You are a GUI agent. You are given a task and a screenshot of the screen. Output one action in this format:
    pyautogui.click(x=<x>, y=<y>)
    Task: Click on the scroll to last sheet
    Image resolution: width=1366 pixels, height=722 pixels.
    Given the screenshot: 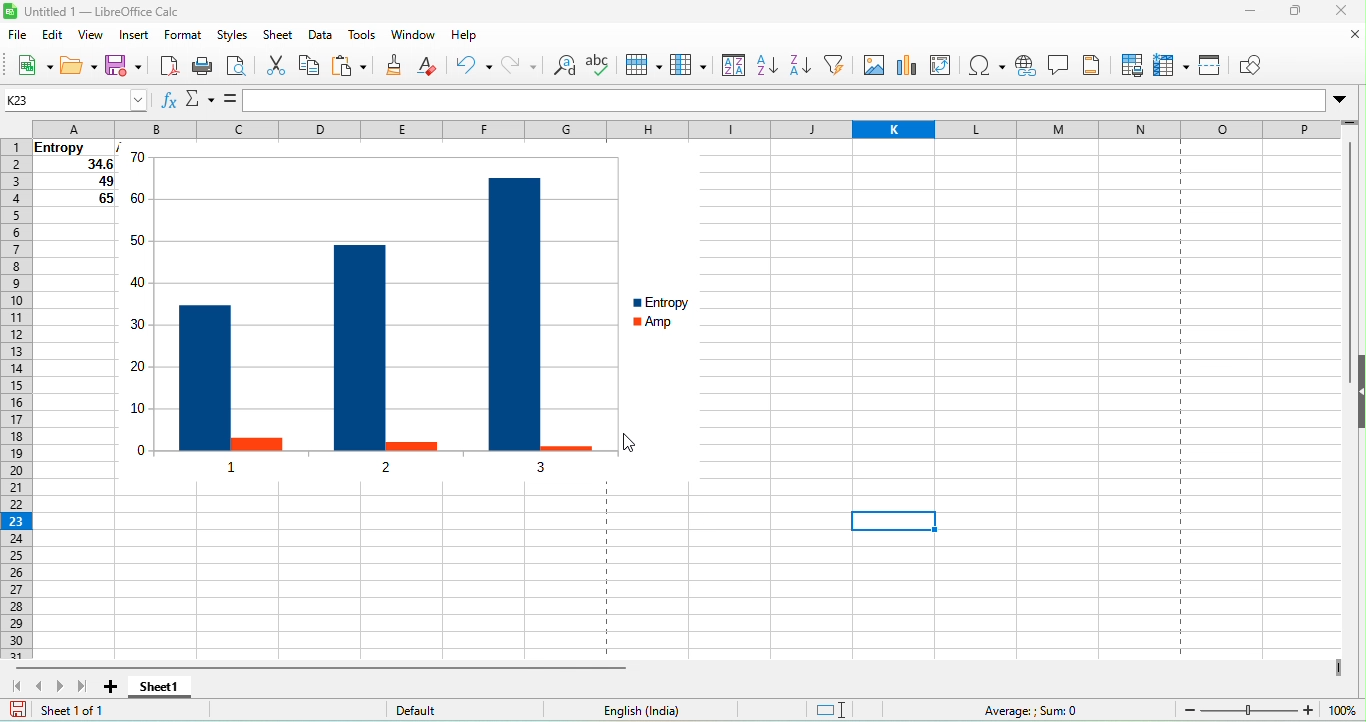 What is the action you would take?
    pyautogui.click(x=82, y=687)
    